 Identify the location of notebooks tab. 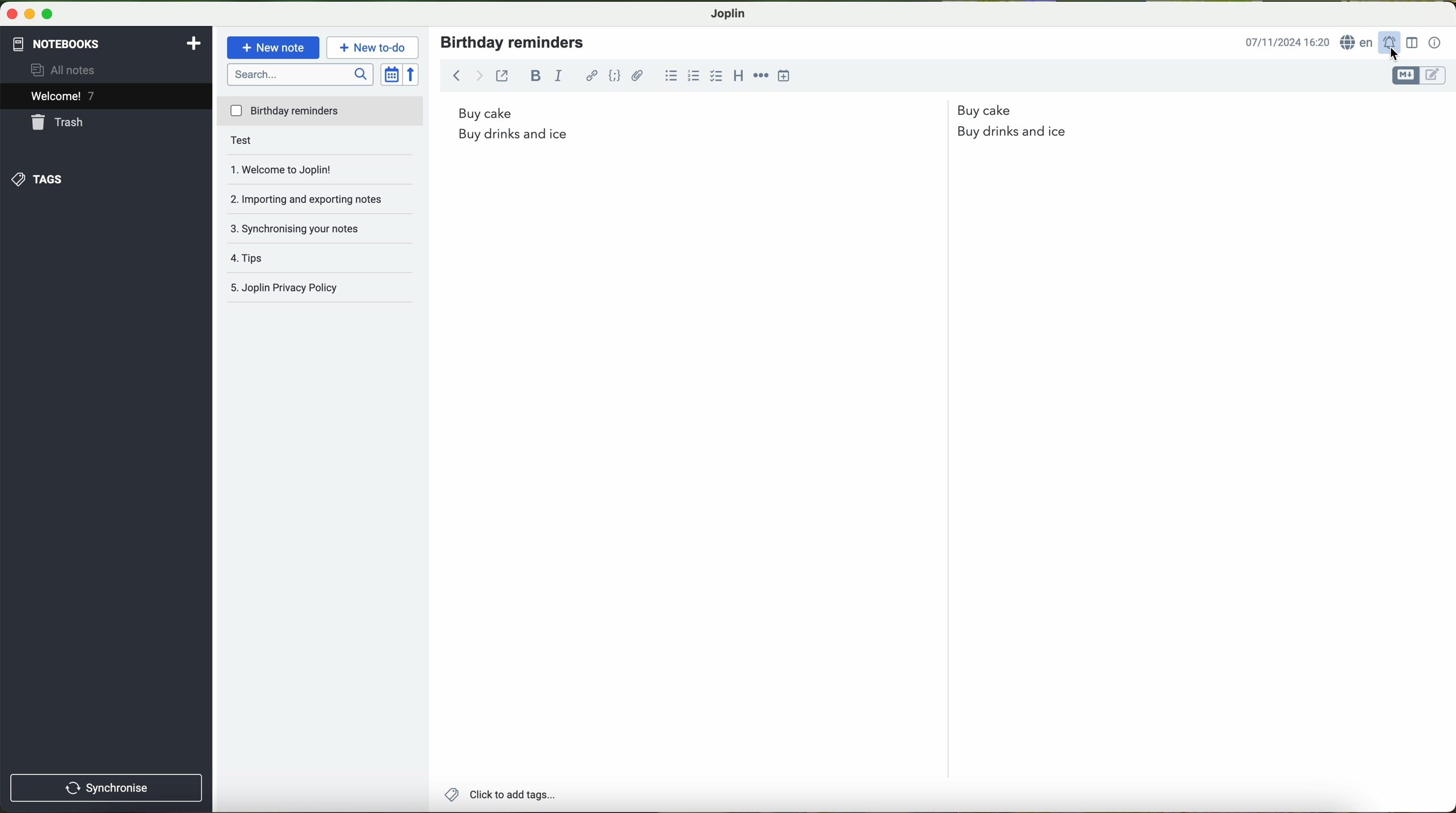
(106, 44).